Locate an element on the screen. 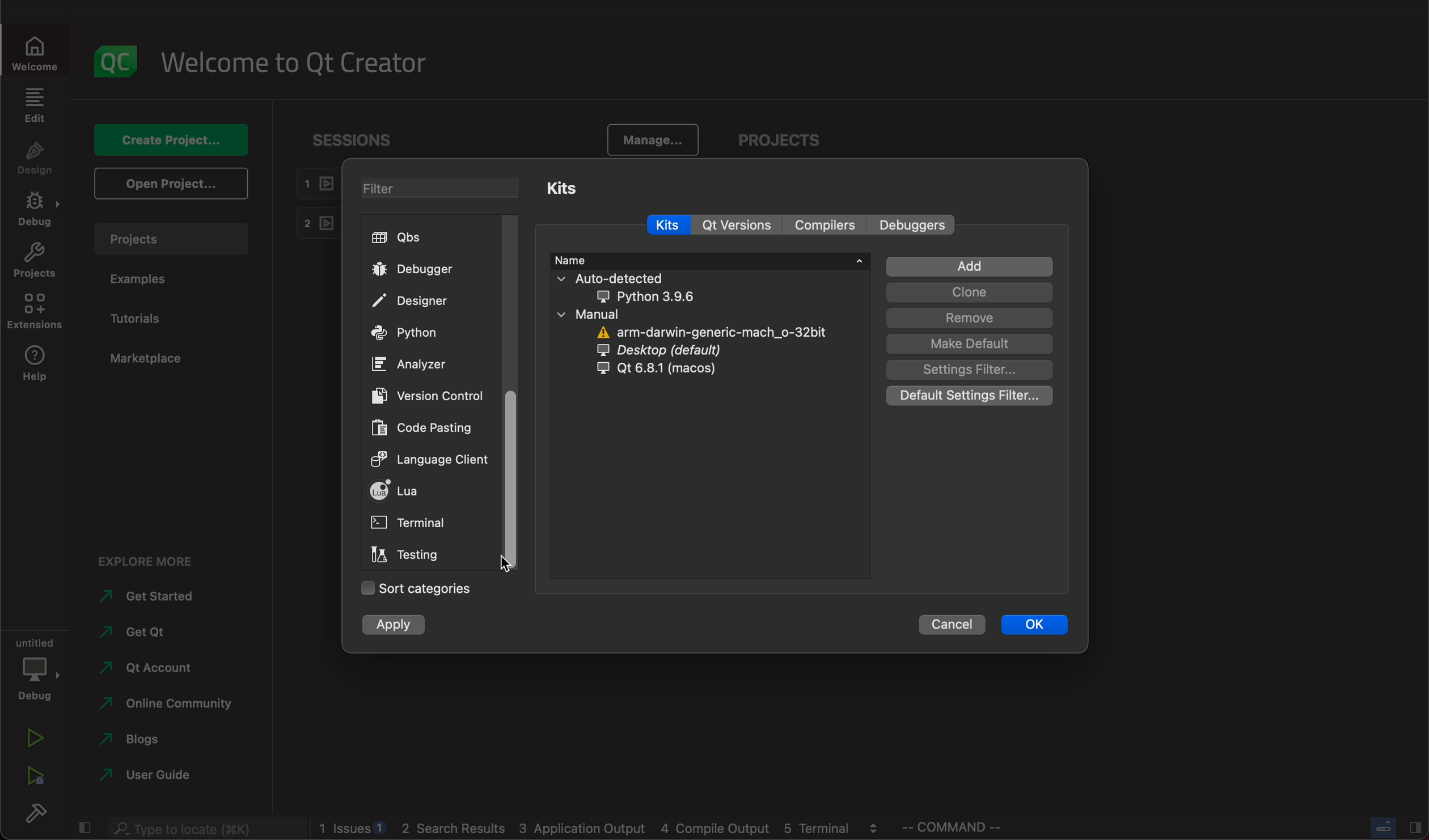  code is located at coordinates (425, 427).